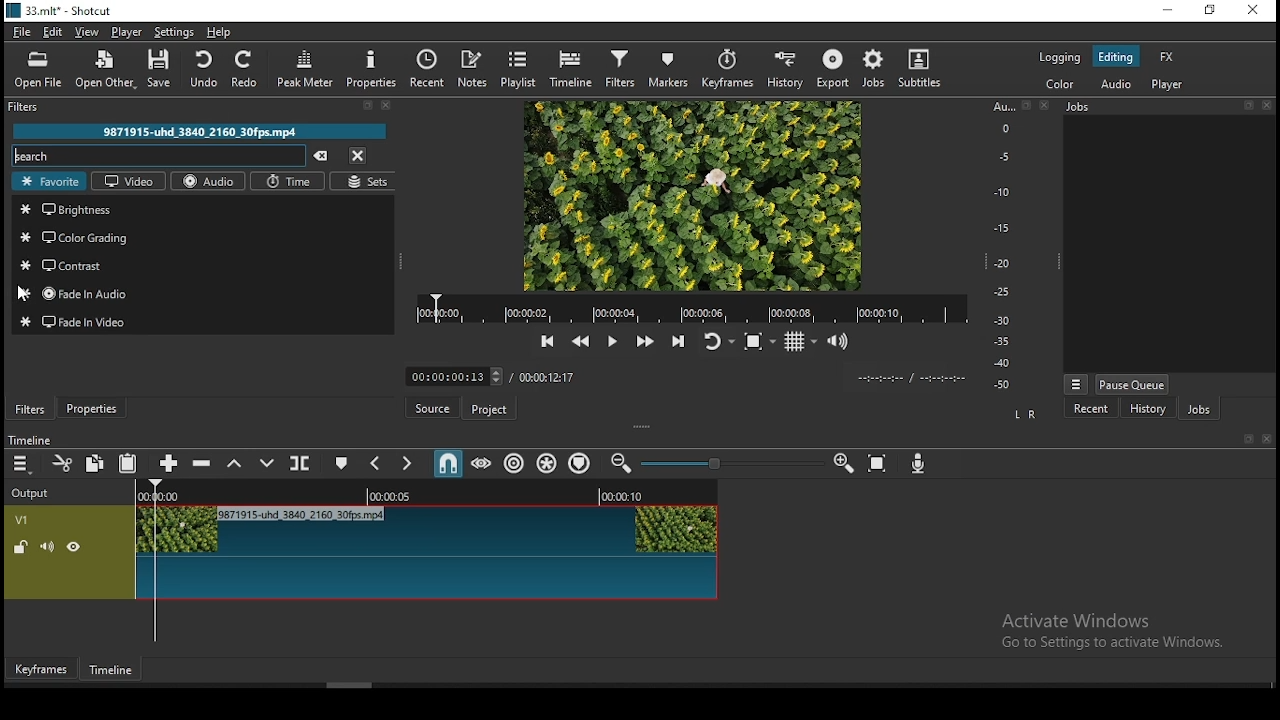 This screenshot has height=720, width=1280. What do you see at coordinates (209, 181) in the screenshot?
I see `audio` at bounding box center [209, 181].